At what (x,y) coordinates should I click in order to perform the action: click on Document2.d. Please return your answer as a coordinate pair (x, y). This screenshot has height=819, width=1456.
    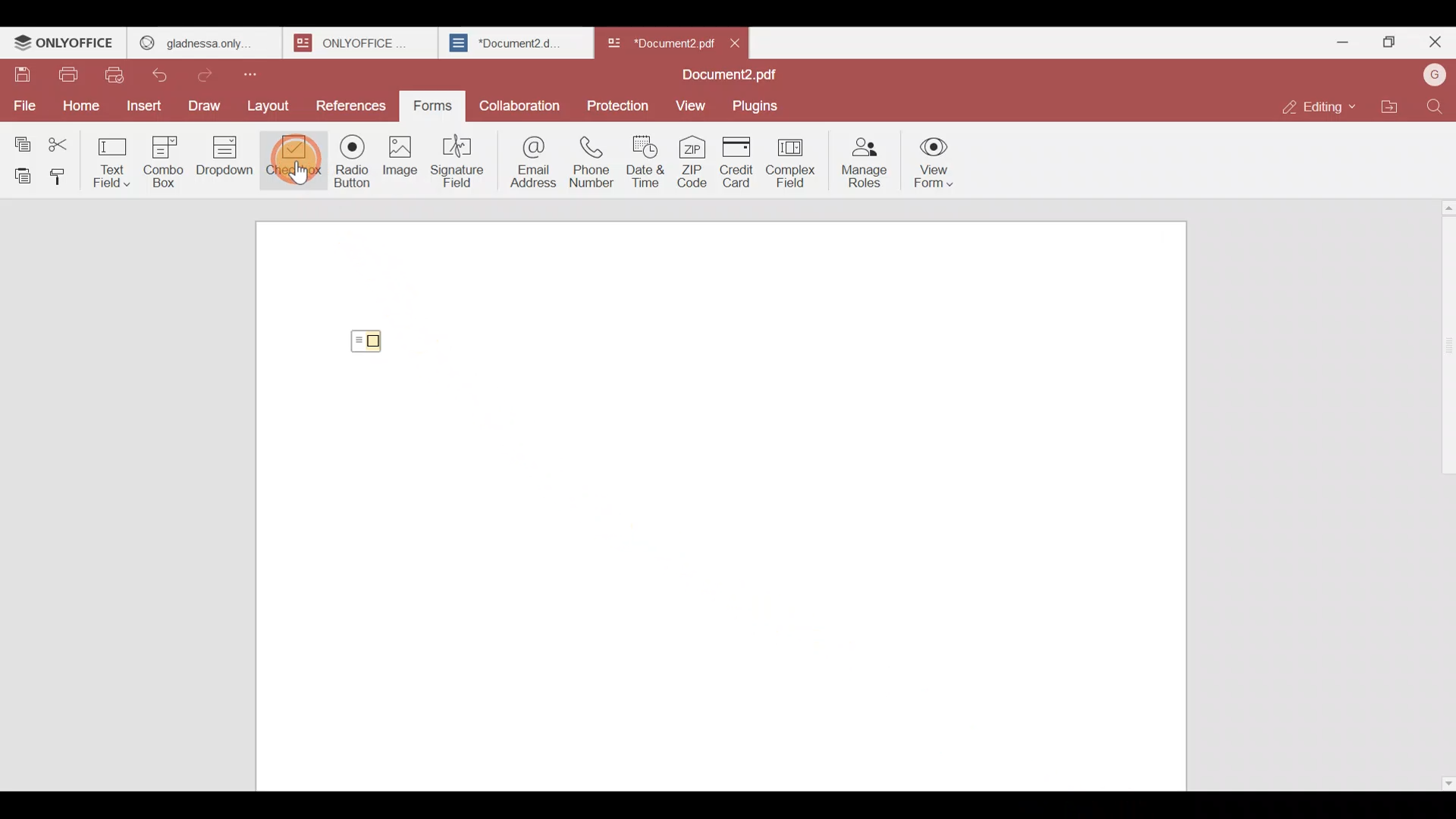
    Looking at the image, I should click on (515, 47).